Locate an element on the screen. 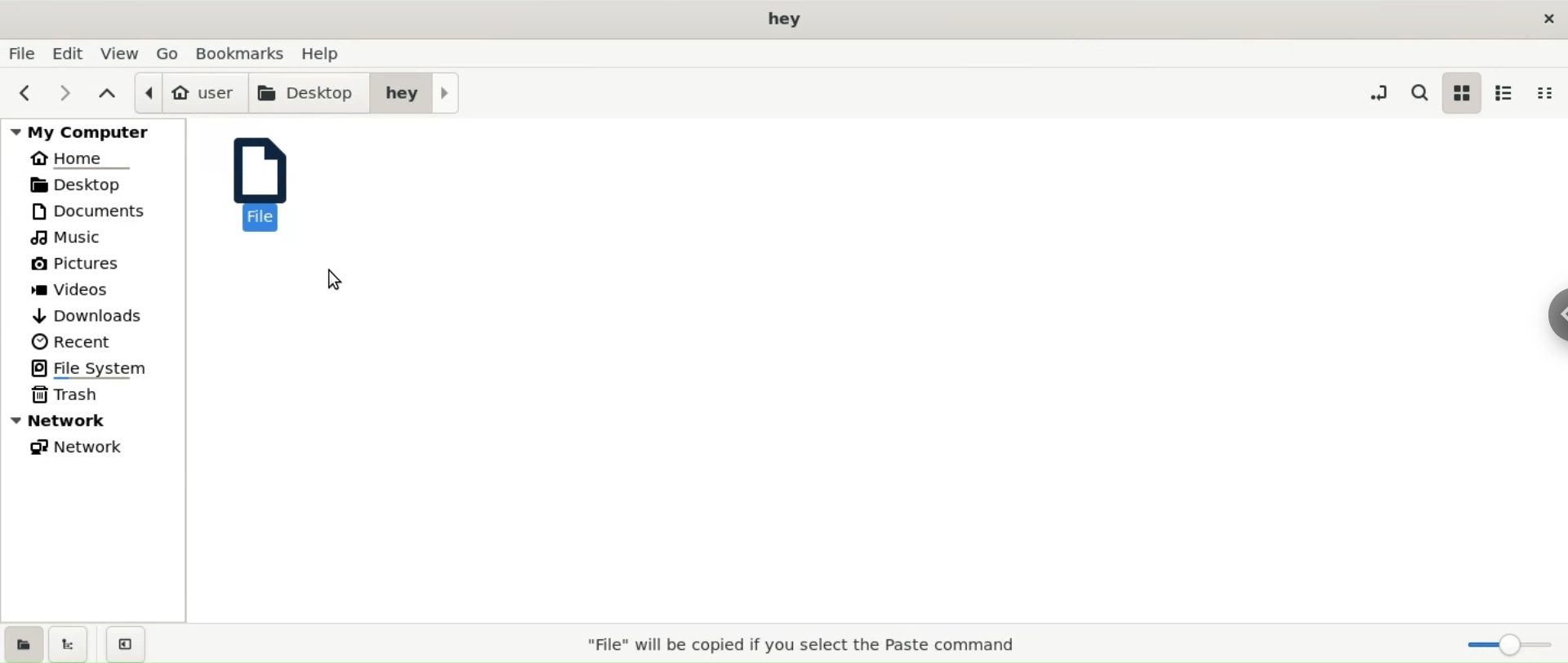 The height and width of the screenshot is (663, 1568). compact view is located at coordinates (1545, 96).